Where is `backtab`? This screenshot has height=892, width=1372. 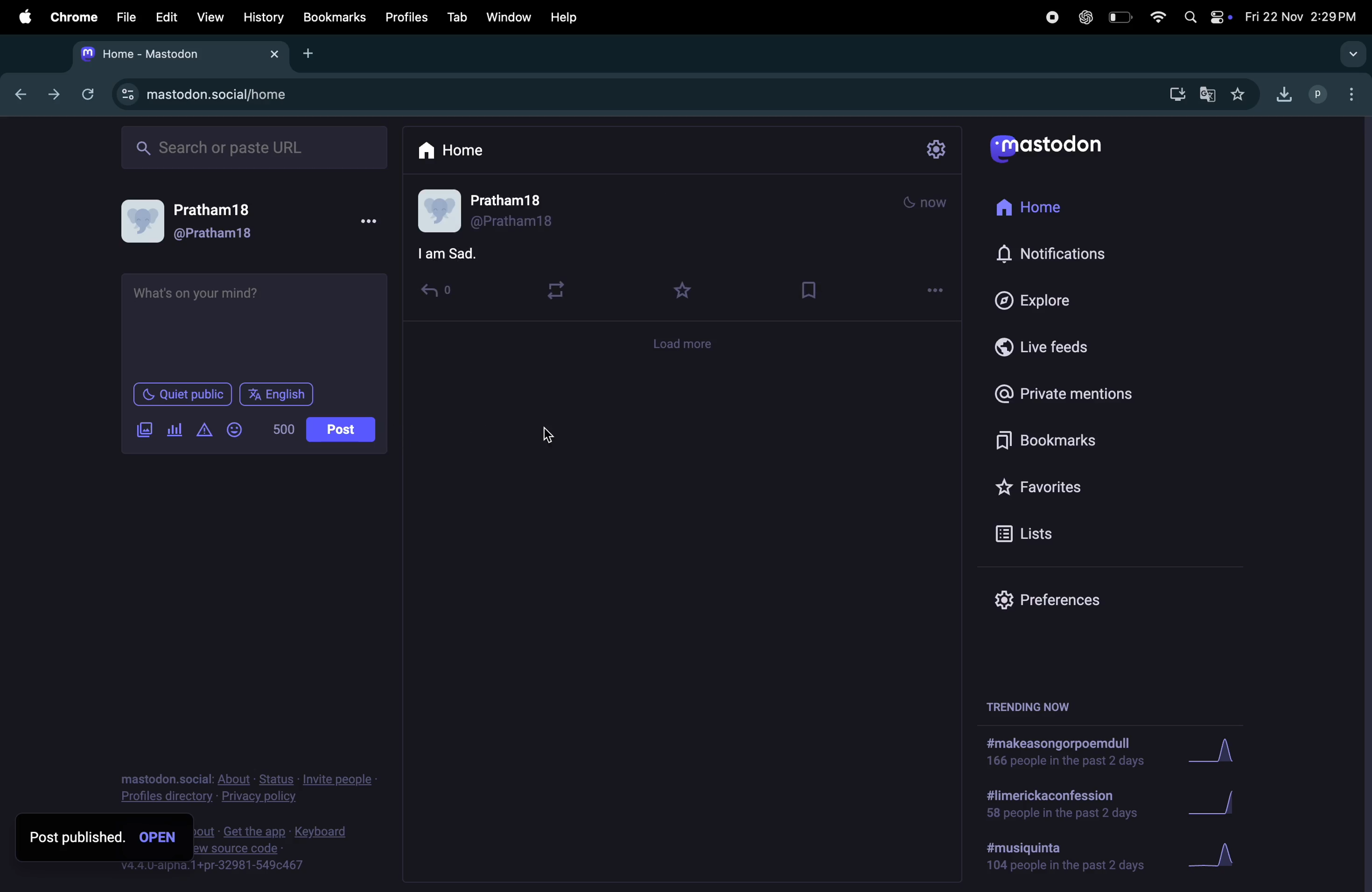
backtab is located at coordinates (17, 95).